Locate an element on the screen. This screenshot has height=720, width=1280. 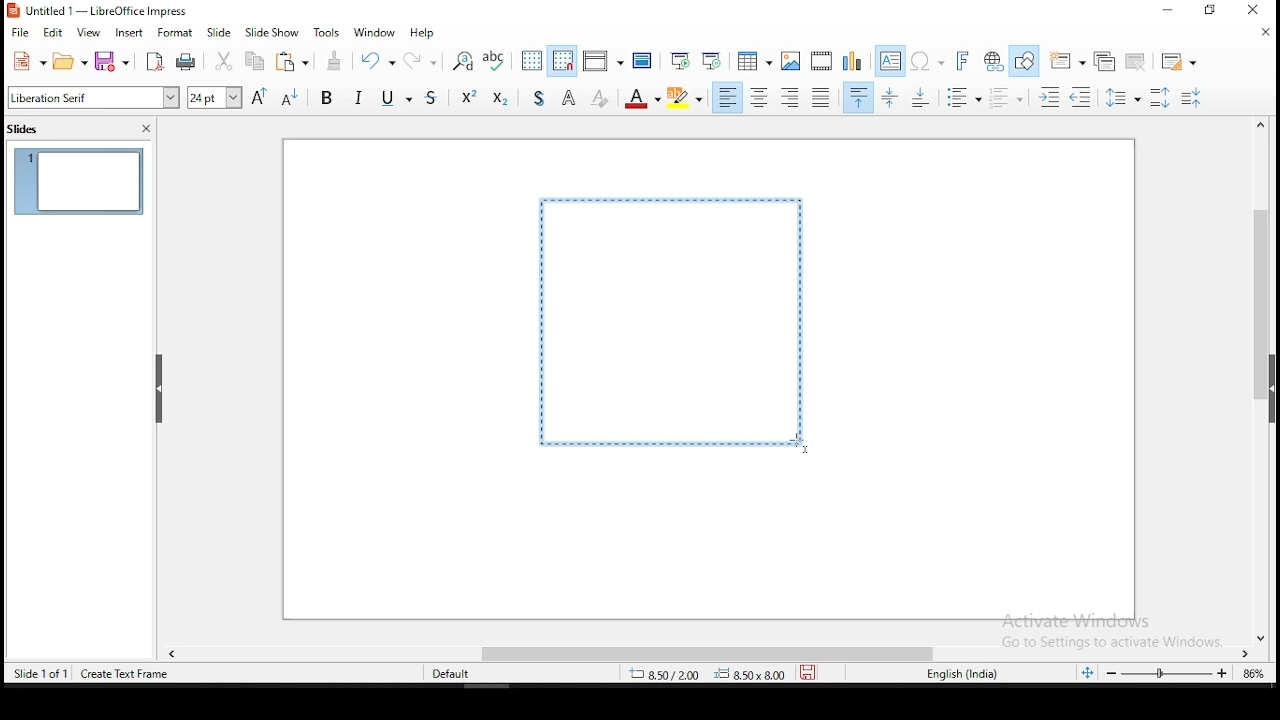
window is located at coordinates (374, 32).